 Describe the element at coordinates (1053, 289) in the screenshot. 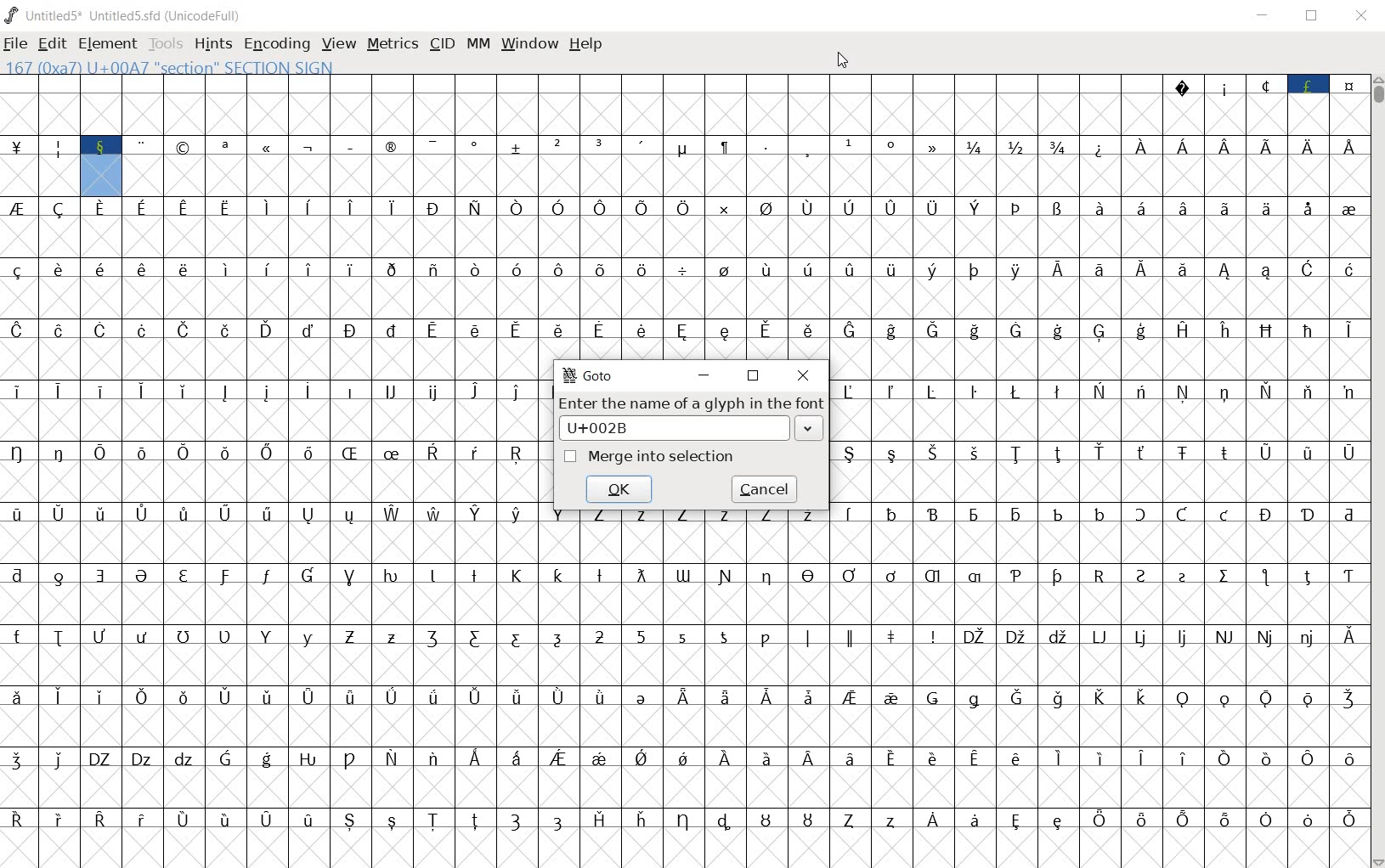

I see `accented characters` at that location.